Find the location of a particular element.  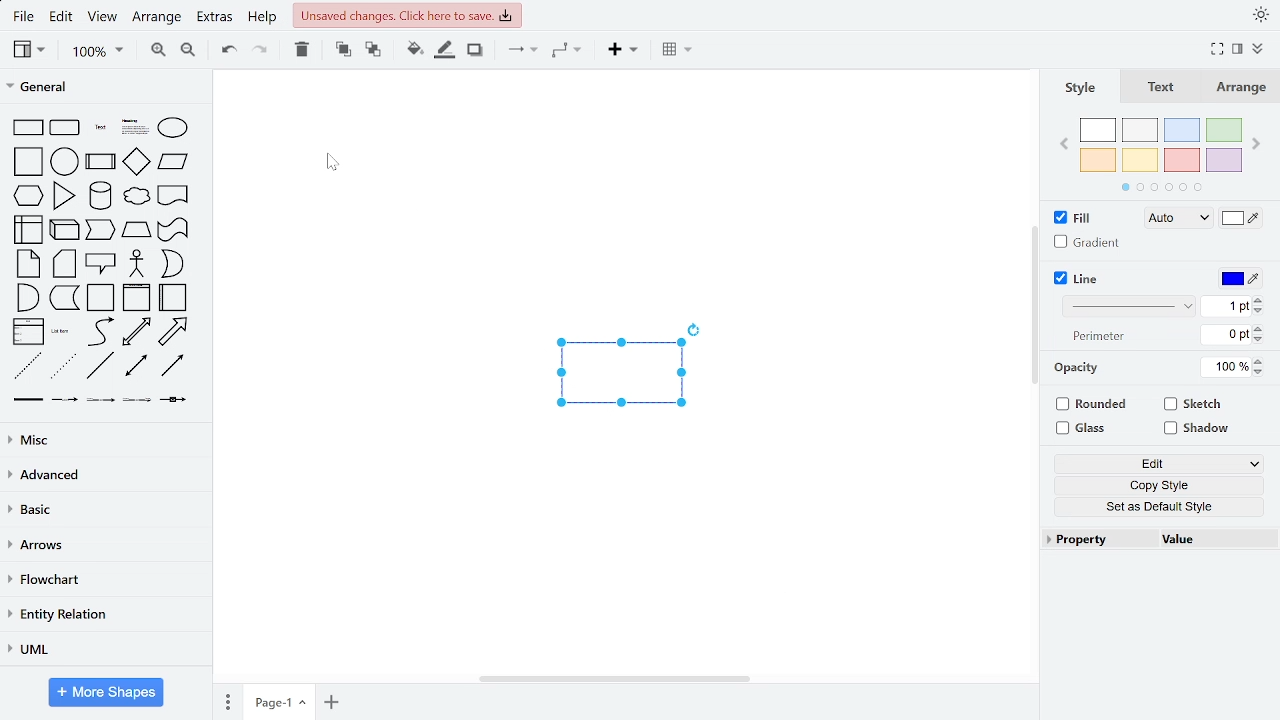

shadow is located at coordinates (475, 52).